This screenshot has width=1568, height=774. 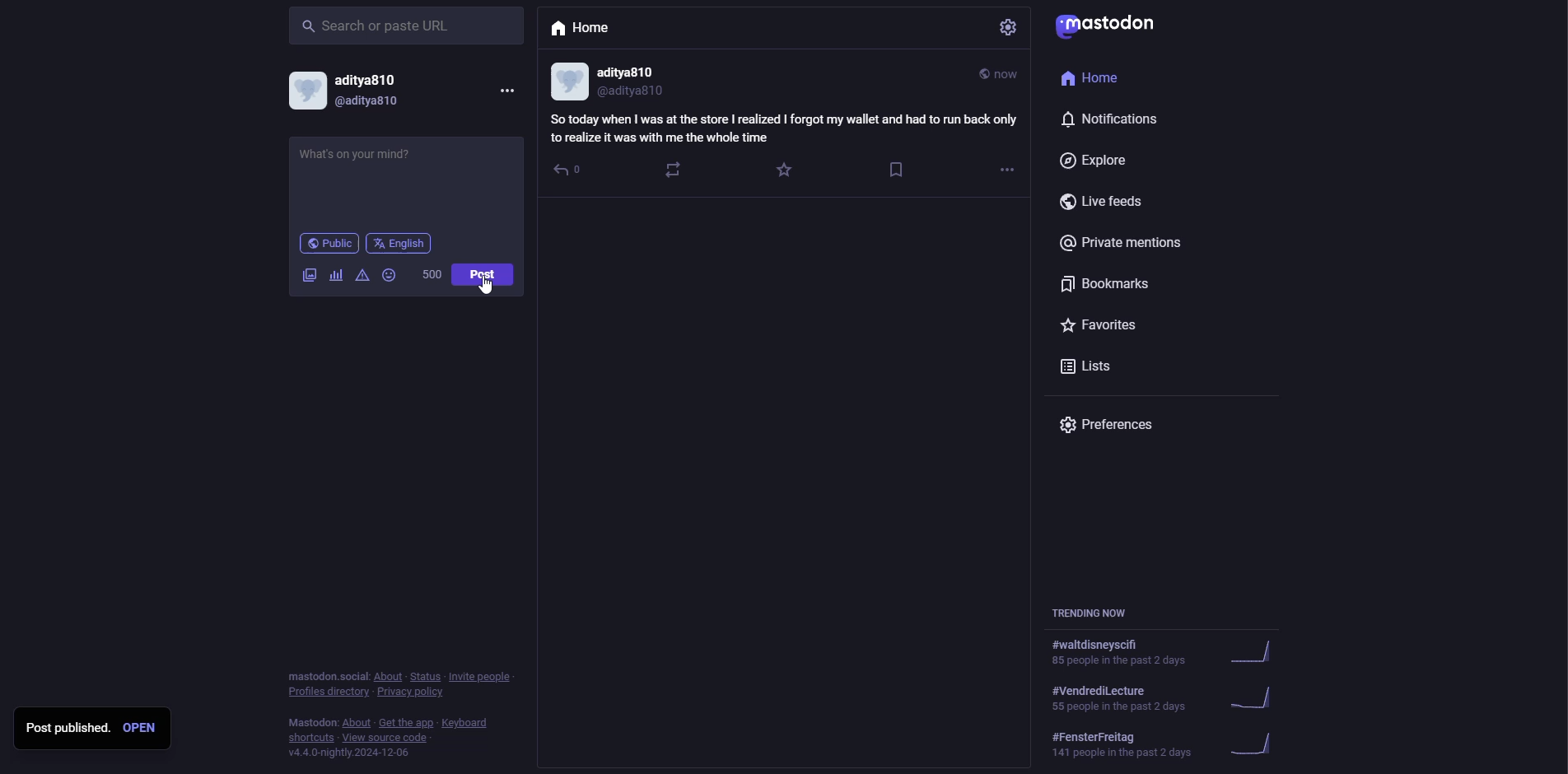 I want to click on reaction, so click(x=675, y=170).